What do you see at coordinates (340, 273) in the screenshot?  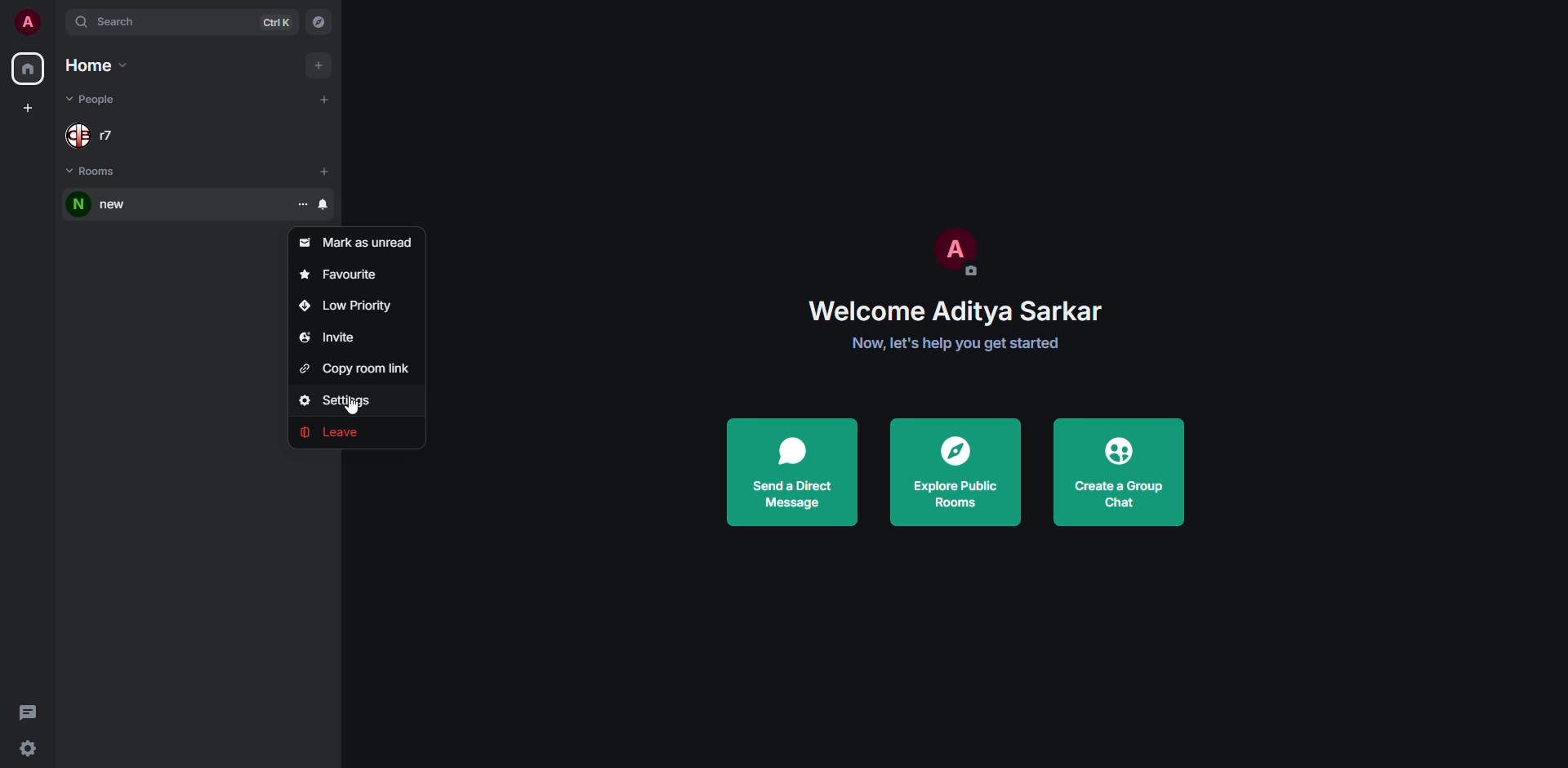 I see `favorite` at bounding box center [340, 273].